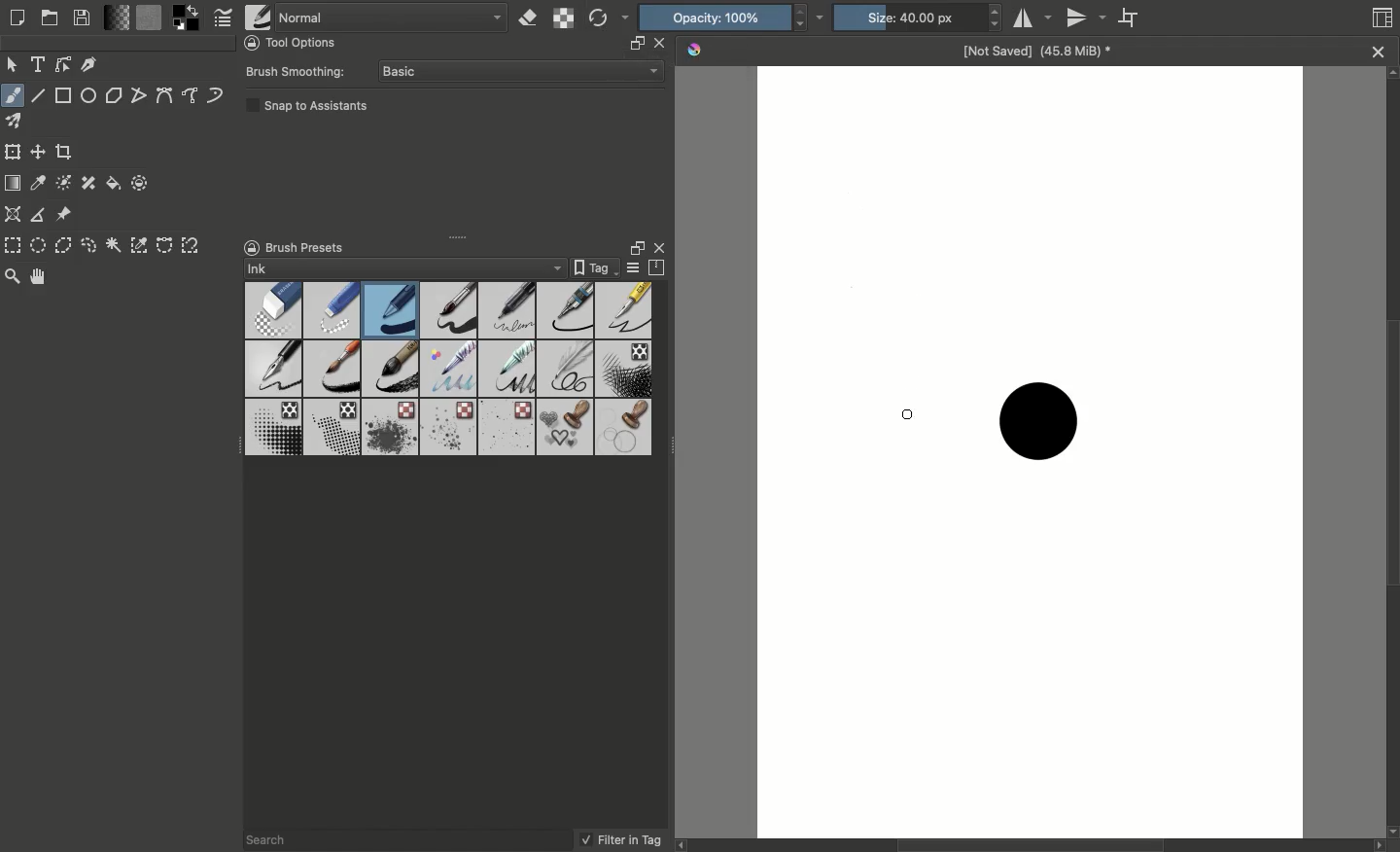 This screenshot has width=1400, height=852. What do you see at coordinates (634, 269) in the screenshot?
I see `Display settings` at bounding box center [634, 269].